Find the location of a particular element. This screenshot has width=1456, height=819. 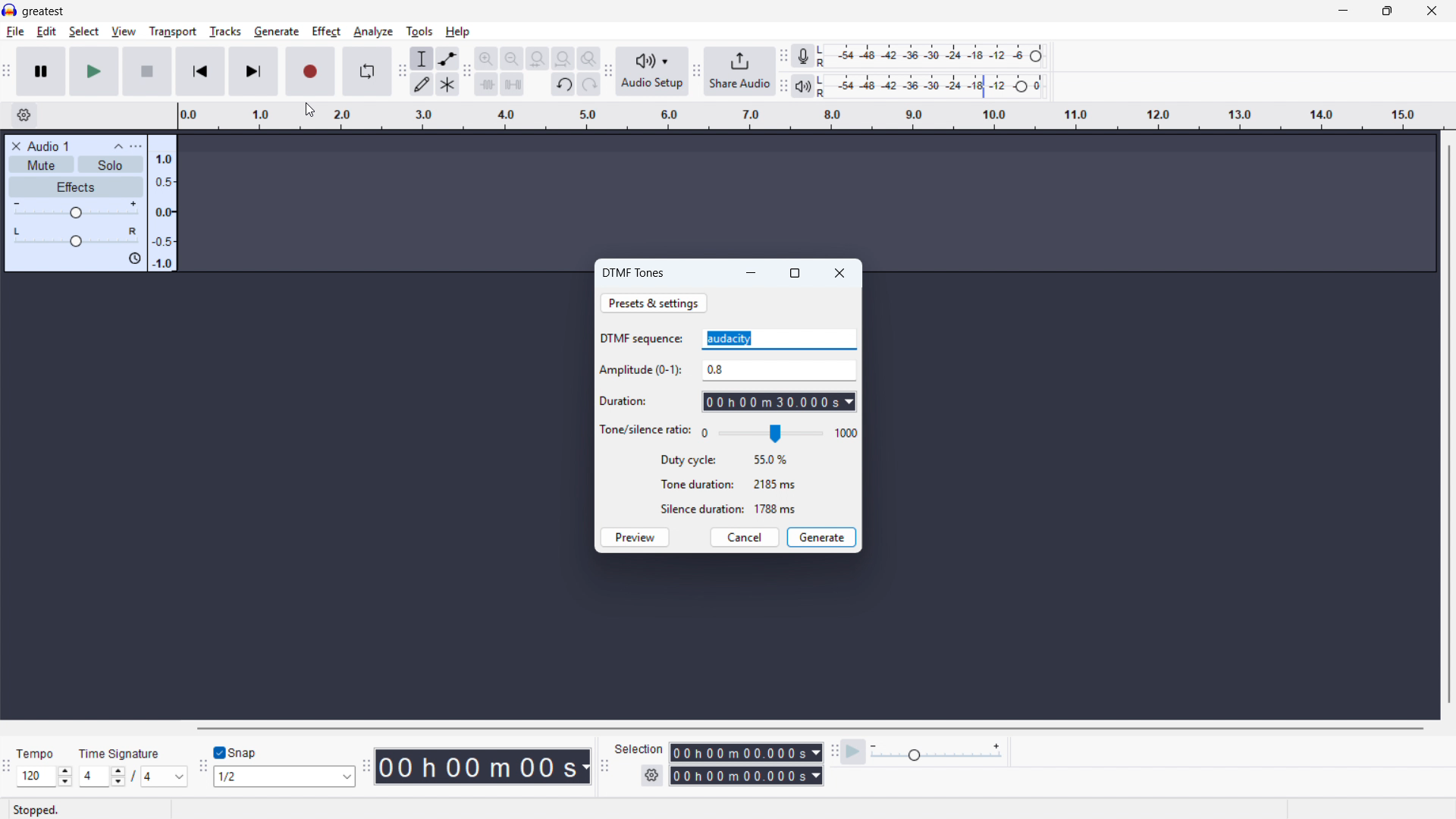

audio setup is located at coordinates (653, 72).